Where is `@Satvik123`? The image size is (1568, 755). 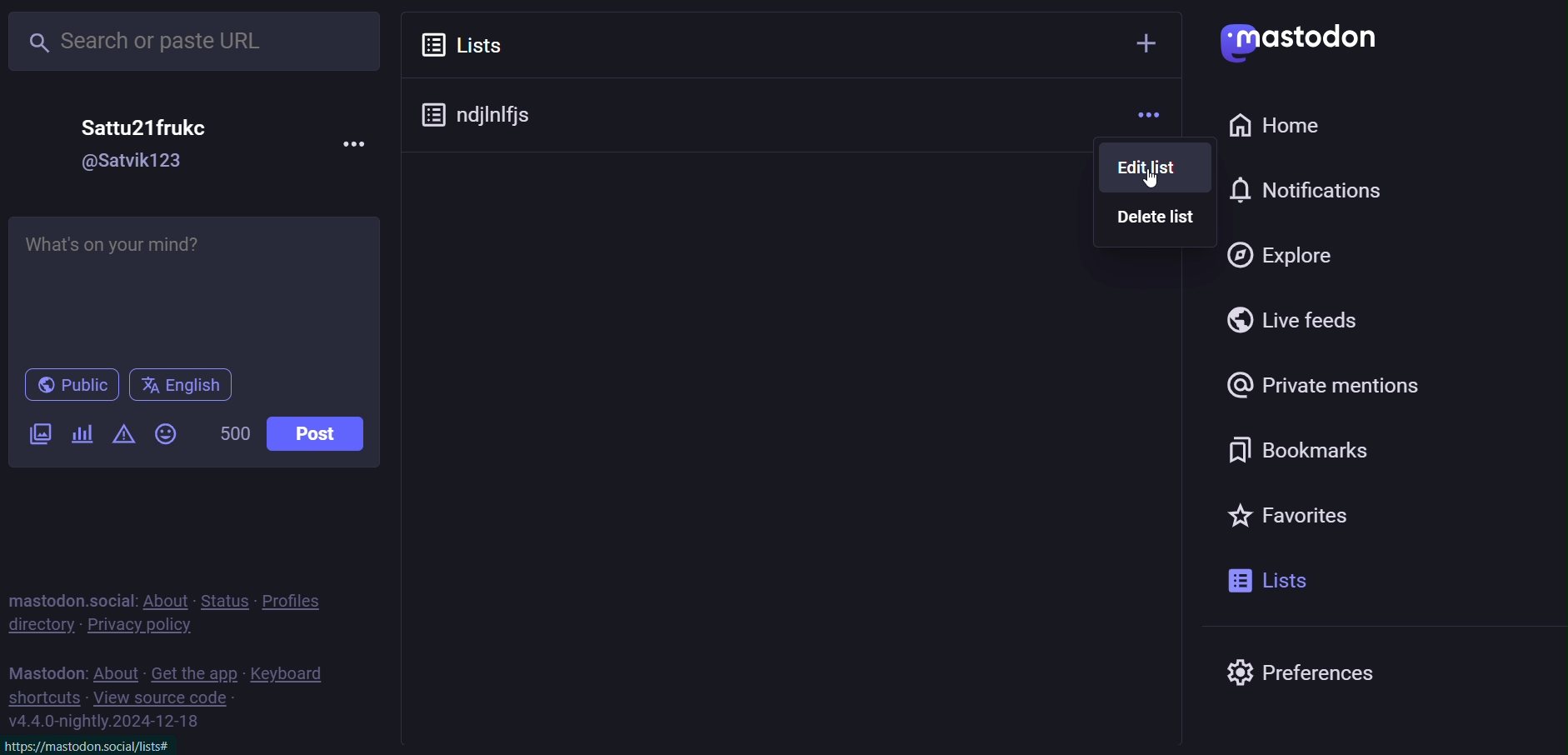
@Satvik123 is located at coordinates (145, 162).